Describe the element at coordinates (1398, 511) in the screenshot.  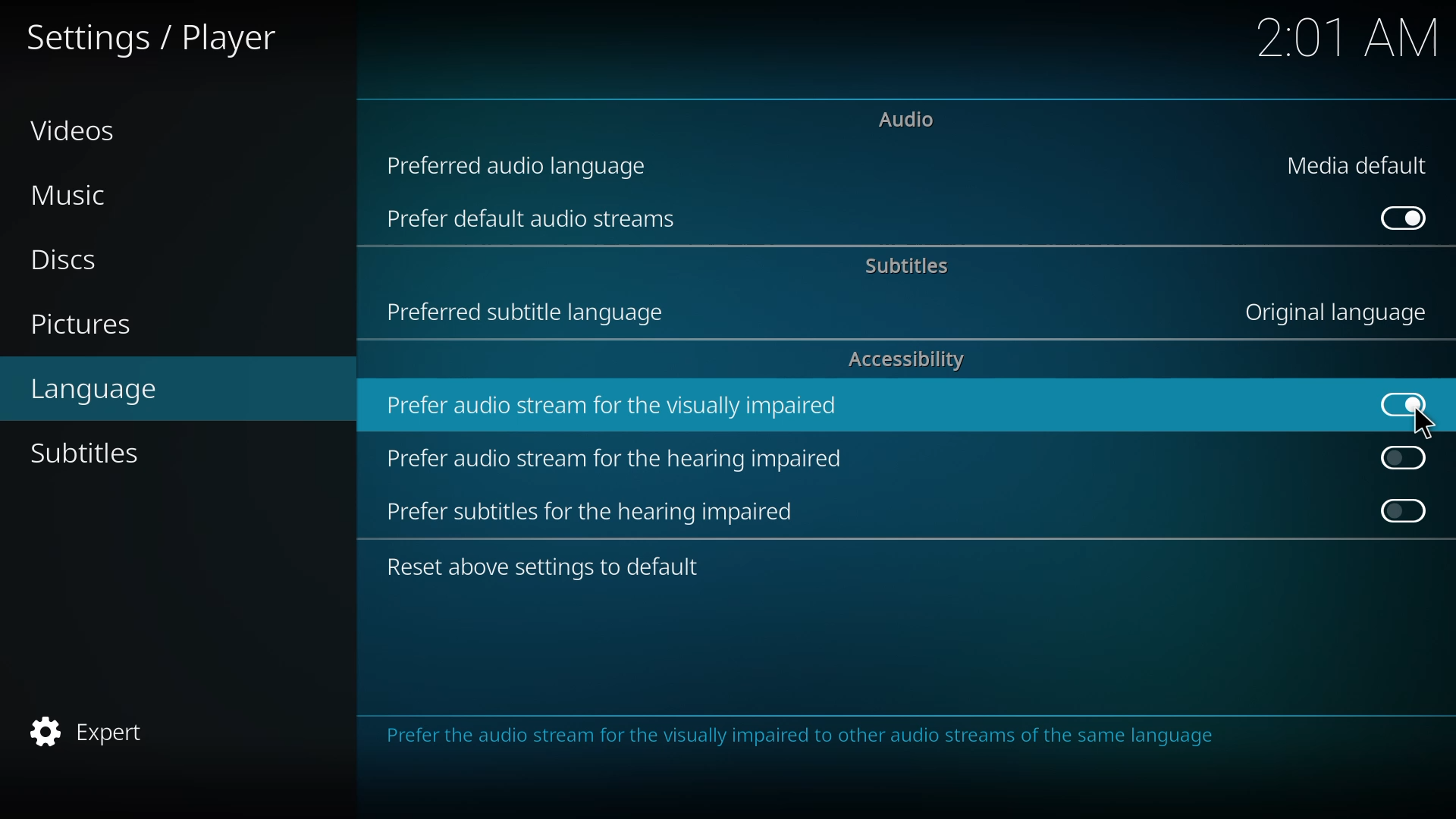
I see `click to enable` at that location.